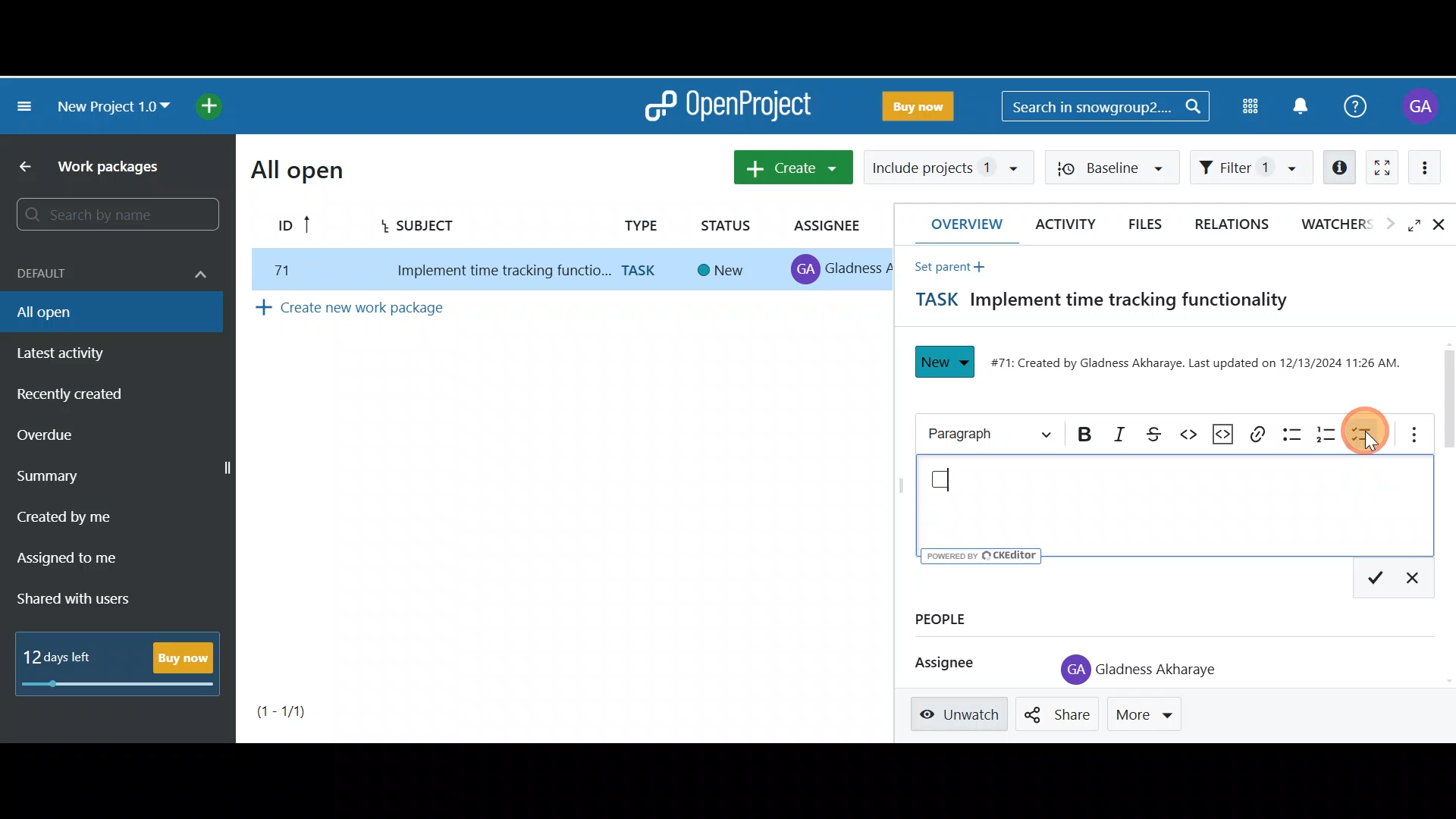  I want to click on Bulleted list, so click(1291, 433).